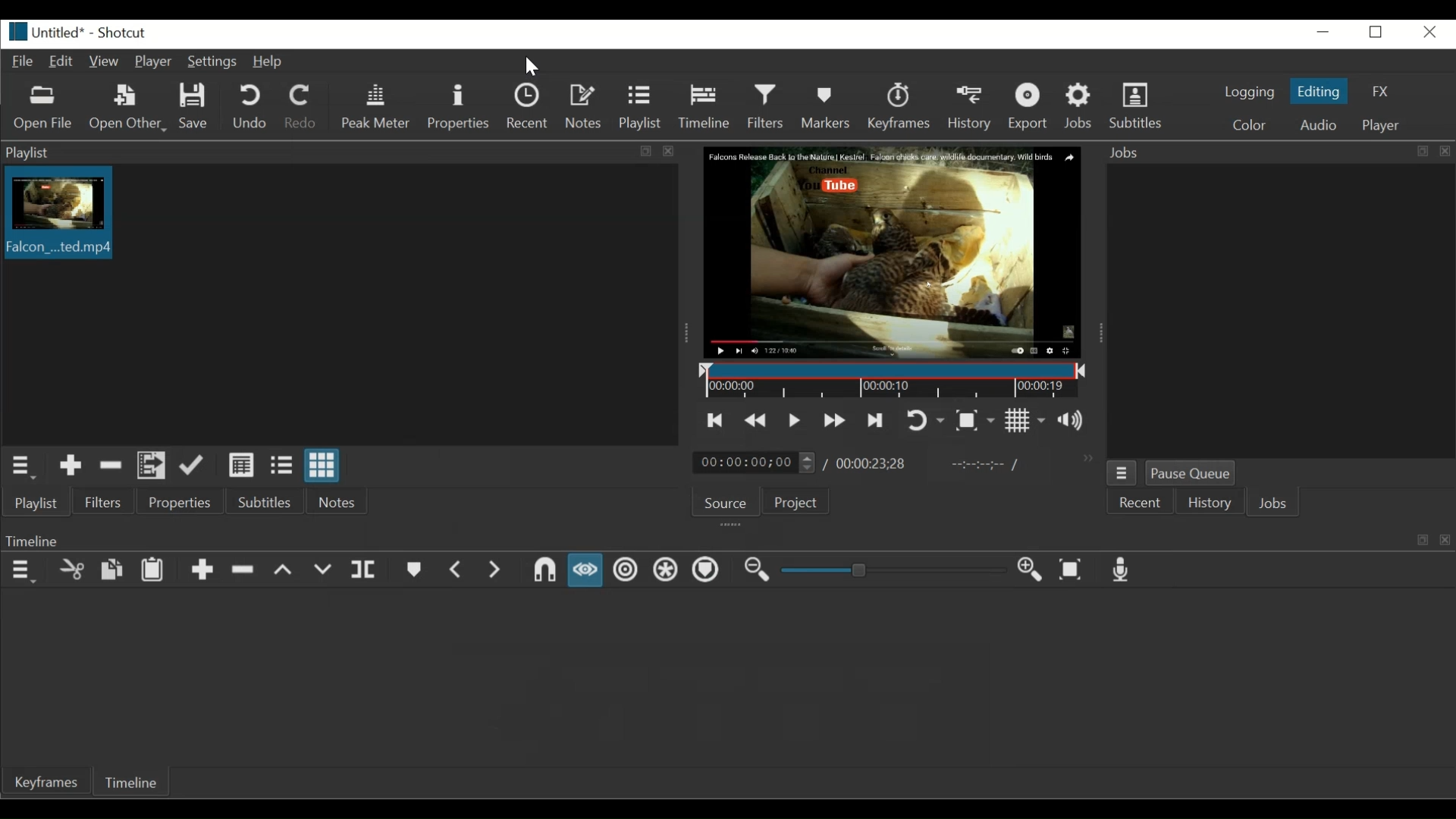 The height and width of the screenshot is (819, 1456). Describe the element at coordinates (362, 570) in the screenshot. I see `Split at playhead` at that location.